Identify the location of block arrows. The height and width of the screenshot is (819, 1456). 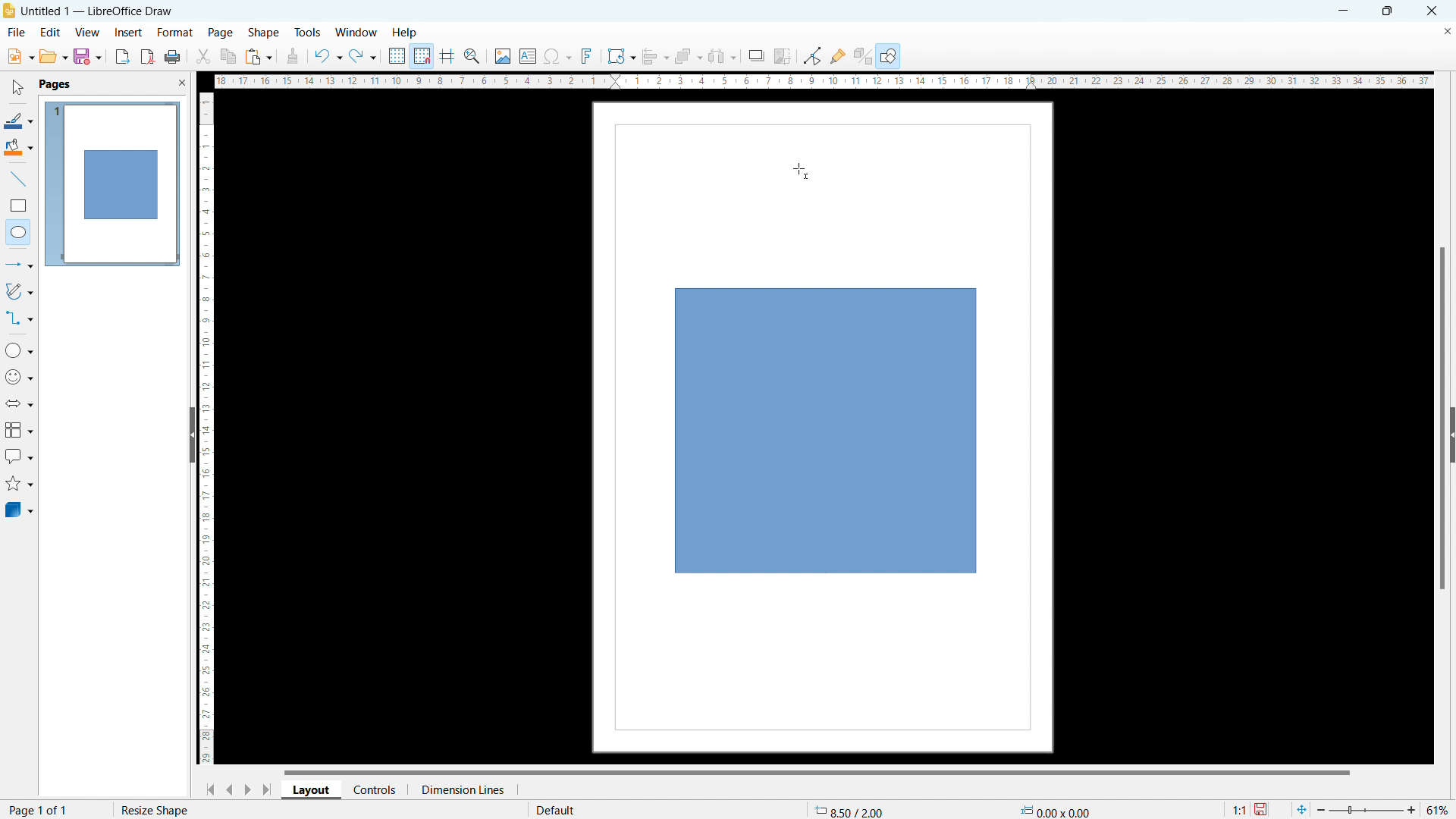
(20, 403).